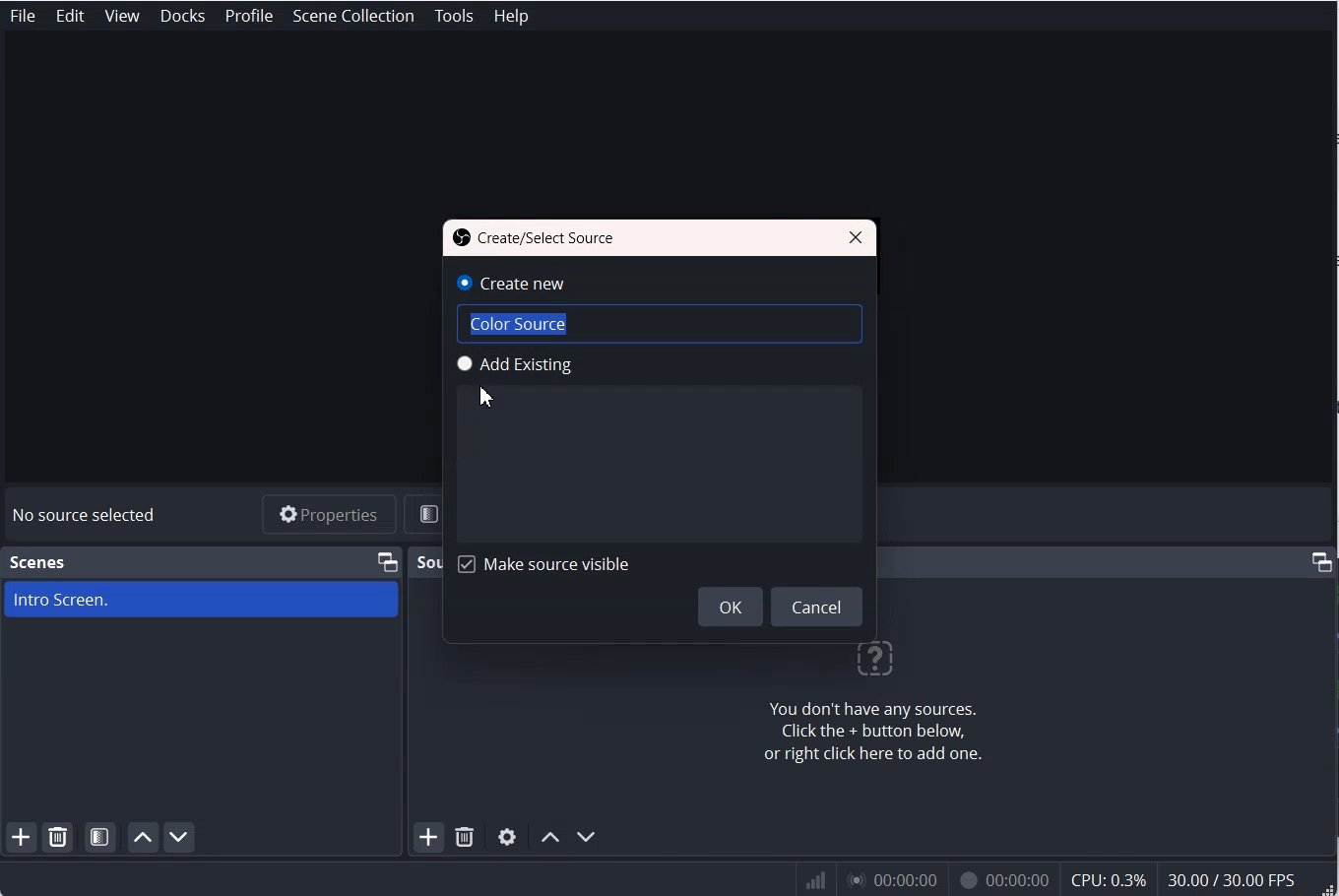 The image size is (1339, 896). What do you see at coordinates (426, 839) in the screenshot?
I see `Add Source` at bounding box center [426, 839].